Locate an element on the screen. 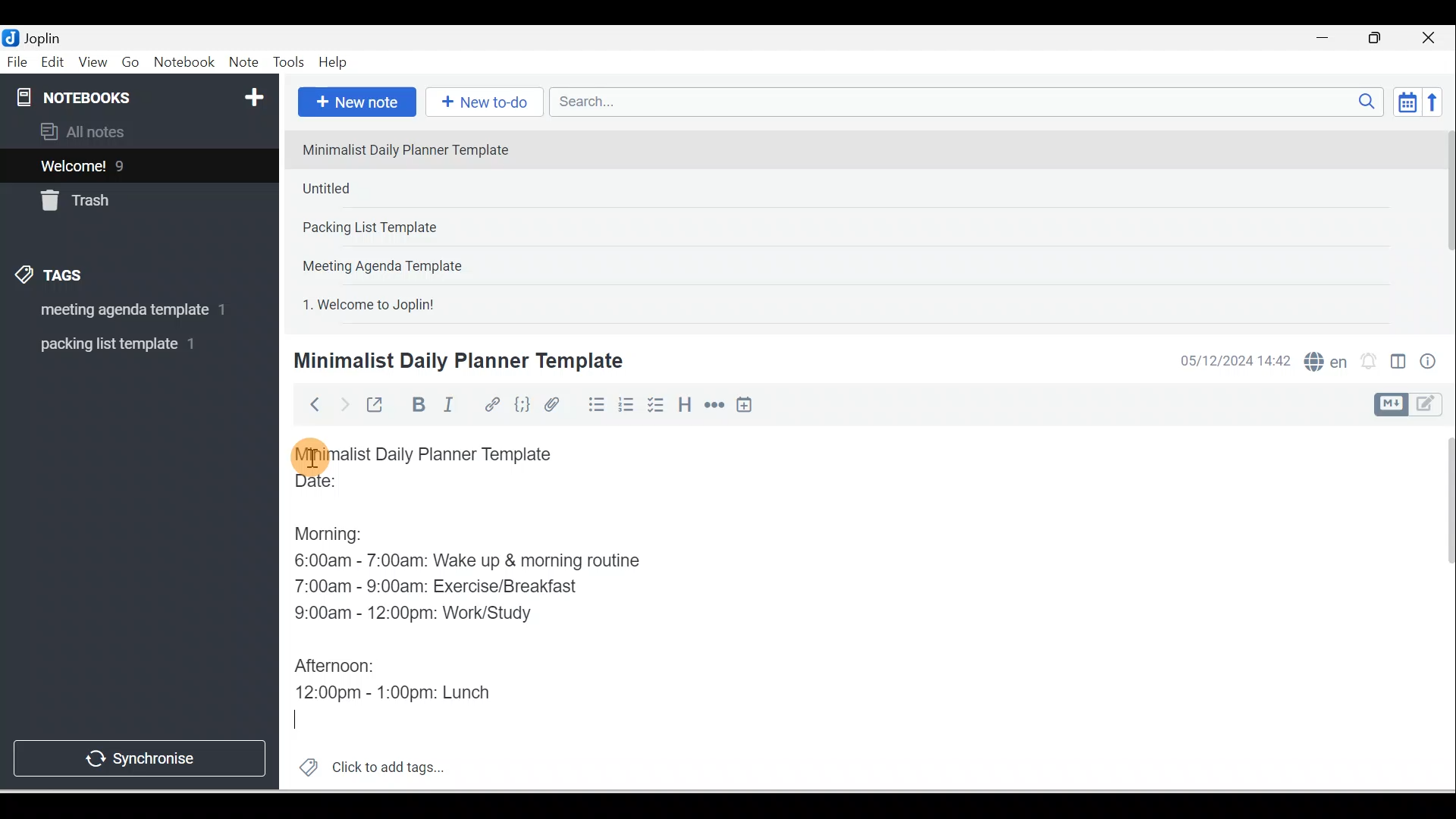 Image resolution: width=1456 pixels, height=819 pixels. Tools is located at coordinates (288, 62).